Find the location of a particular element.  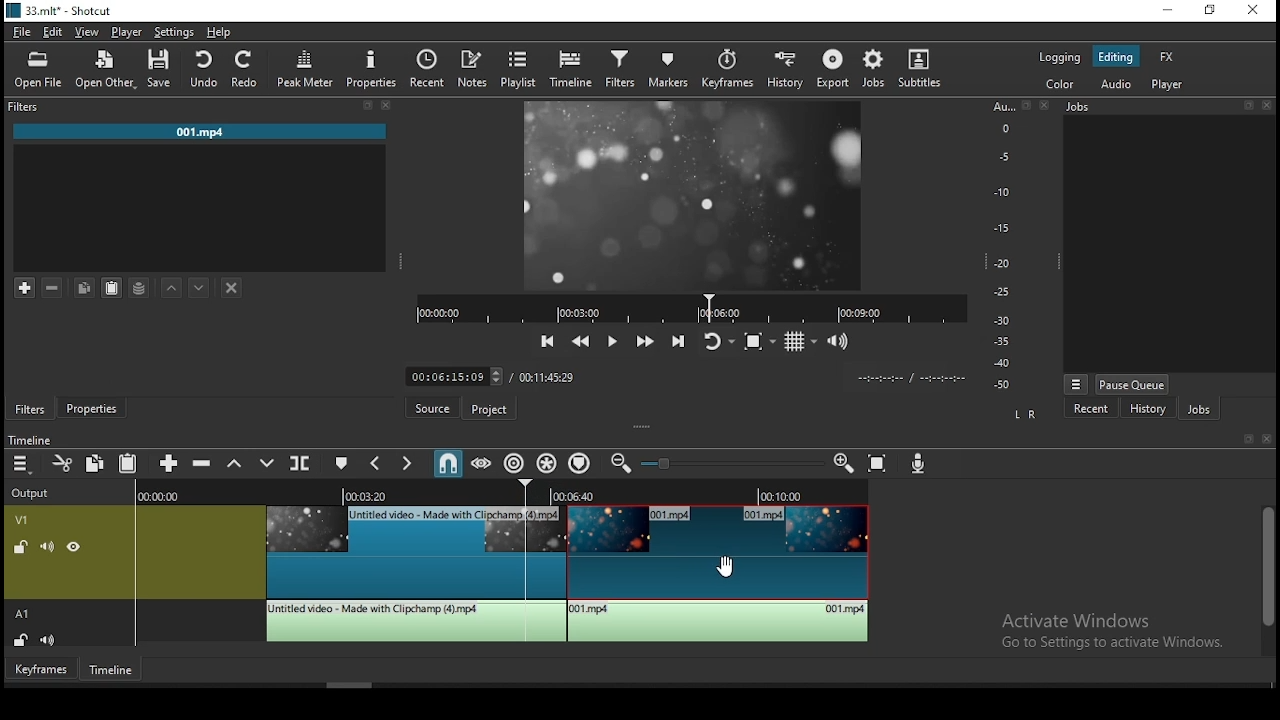

move filter up is located at coordinates (175, 286).